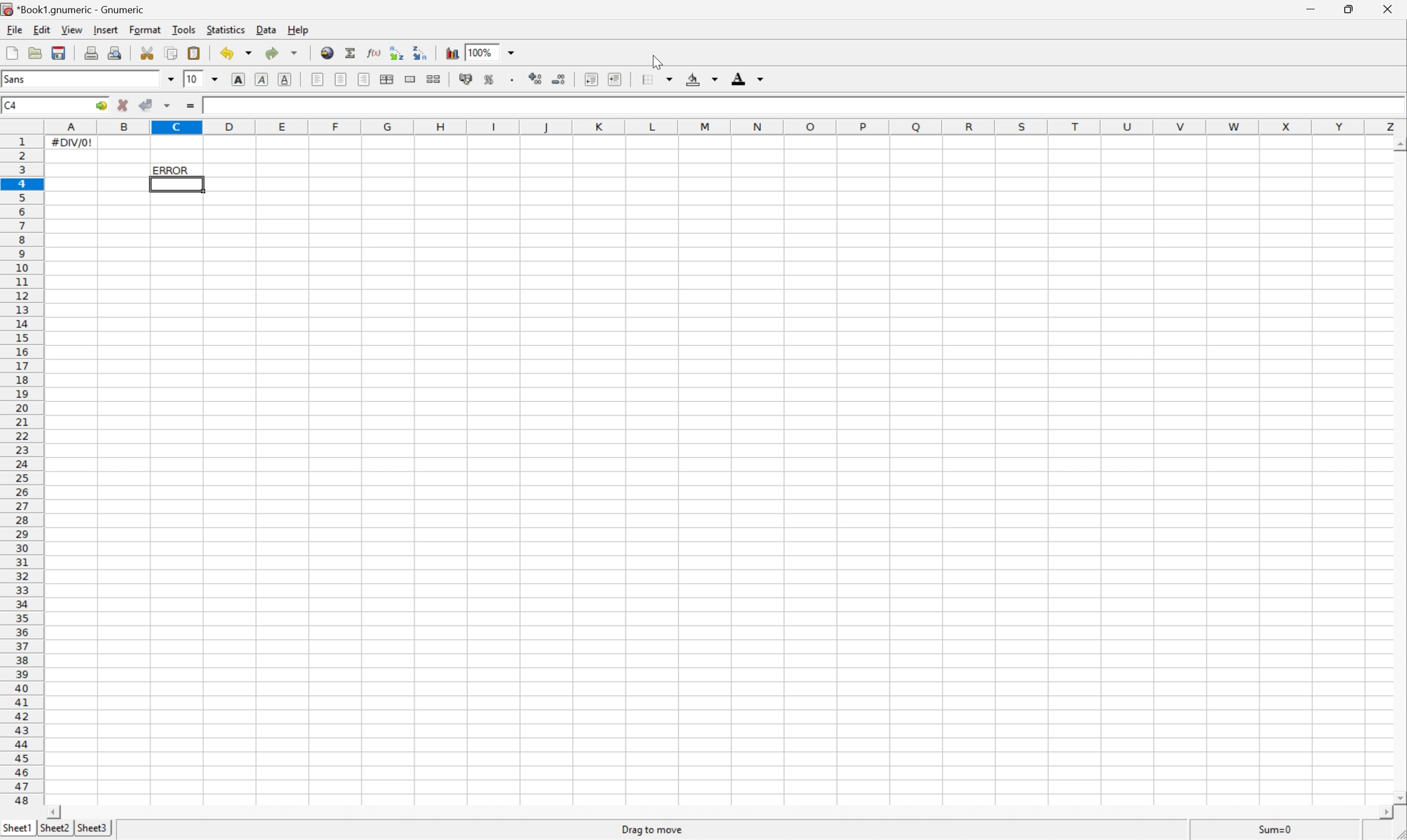 This screenshot has width=1407, height=840. I want to click on Sheet2, so click(54, 829).